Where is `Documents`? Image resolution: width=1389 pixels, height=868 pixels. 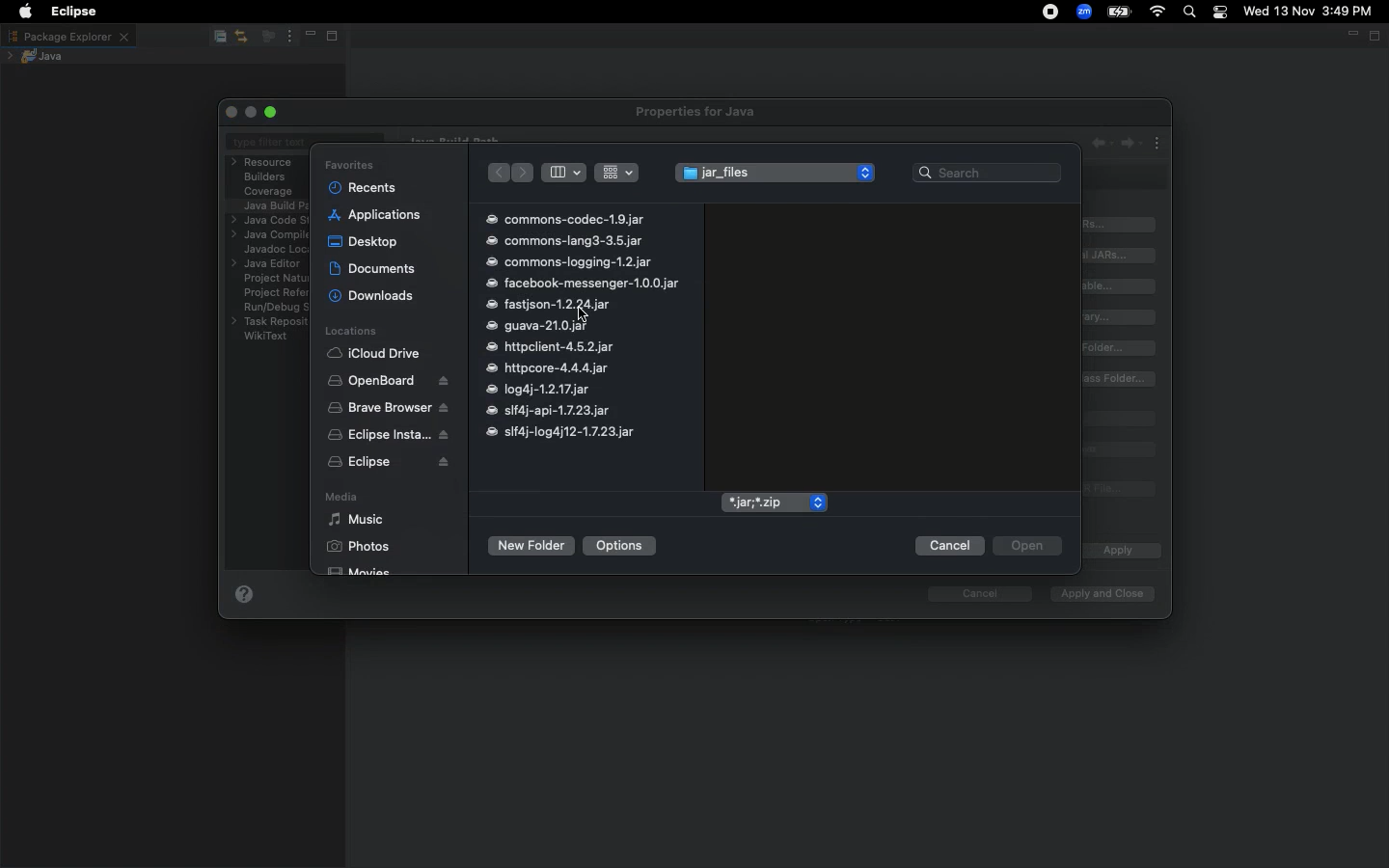 Documents is located at coordinates (374, 268).